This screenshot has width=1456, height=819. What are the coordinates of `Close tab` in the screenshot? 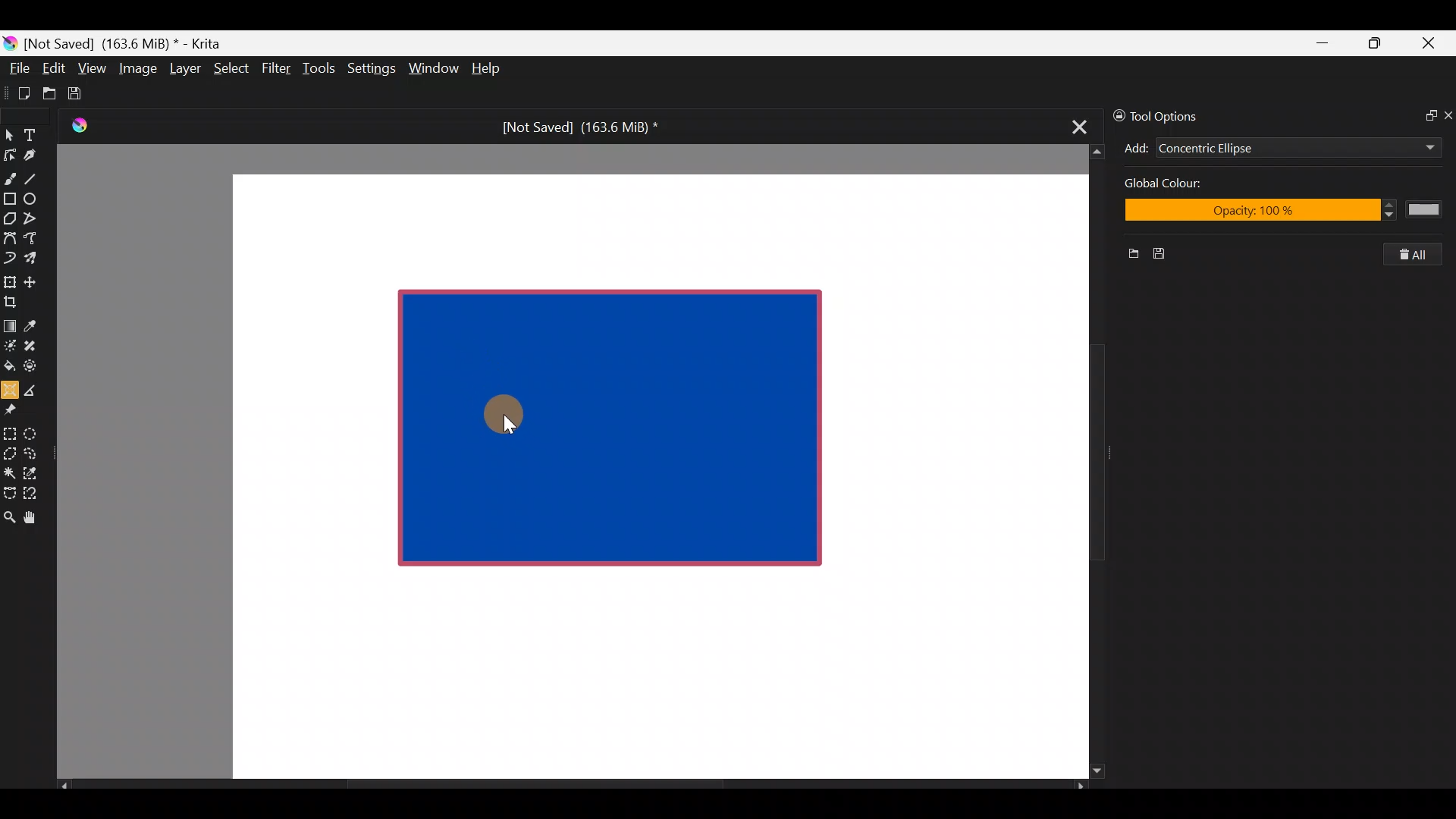 It's located at (1075, 124).